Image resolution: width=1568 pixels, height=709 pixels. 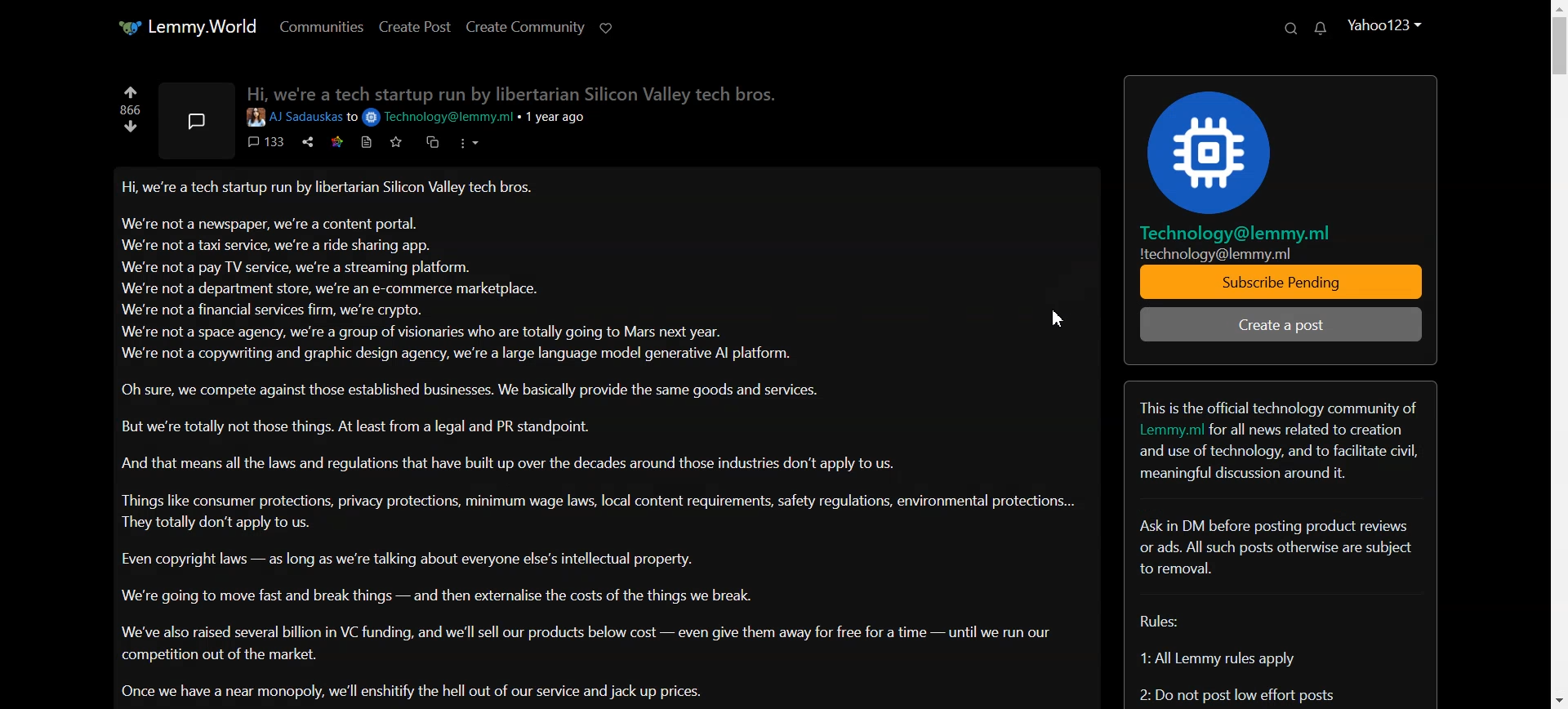 What do you see at coordinates (1281, 513) in the screenshot?
I see `This is the official technology community of Lemmy.ml for all news related to creation and use of technology, and to facilitate civil, meaningful discussion around it. Ask in DM before posting product reviews or ads. All such posts otherwise are subject to removal.` at bounding box center [1281, 513].